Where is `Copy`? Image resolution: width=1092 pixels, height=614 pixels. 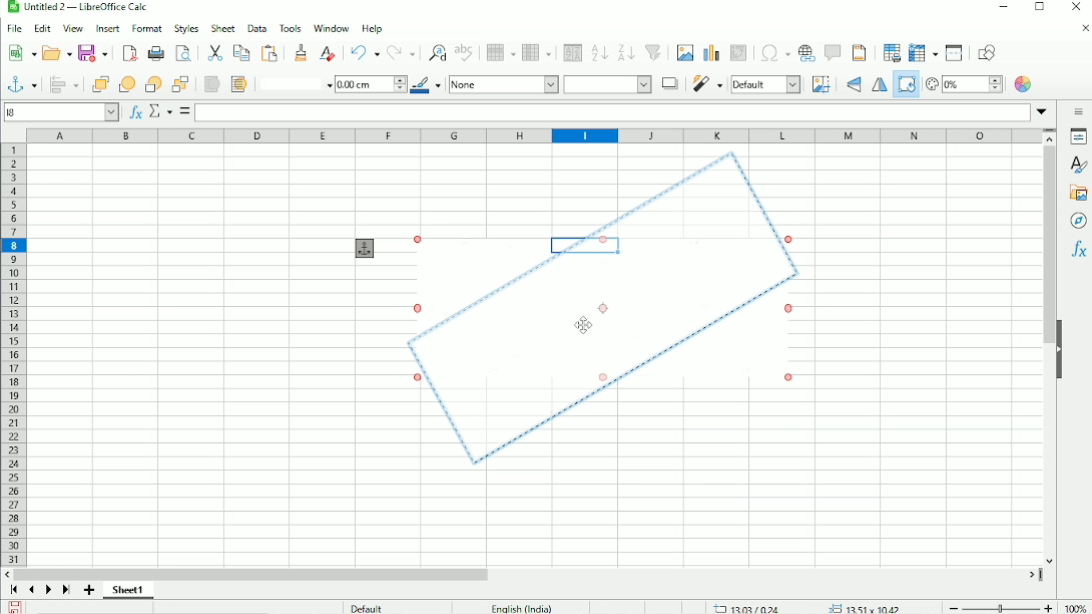
Copy is located at coordinates (241, 52).